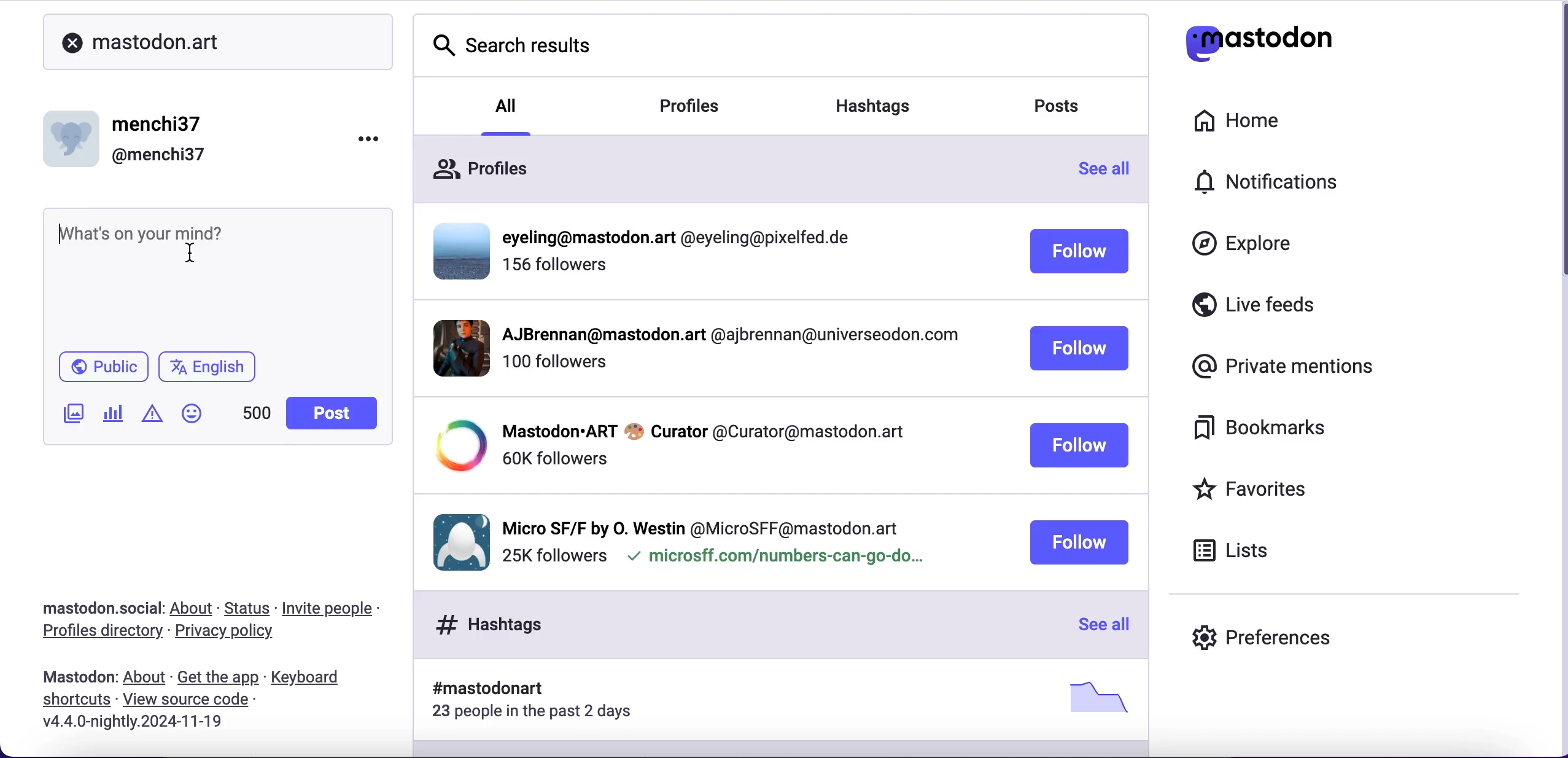 This screenshot has width=1568, height=758. Describe the element at coordinates (153, 416) in the screenshot. I see `add warning` at that location.